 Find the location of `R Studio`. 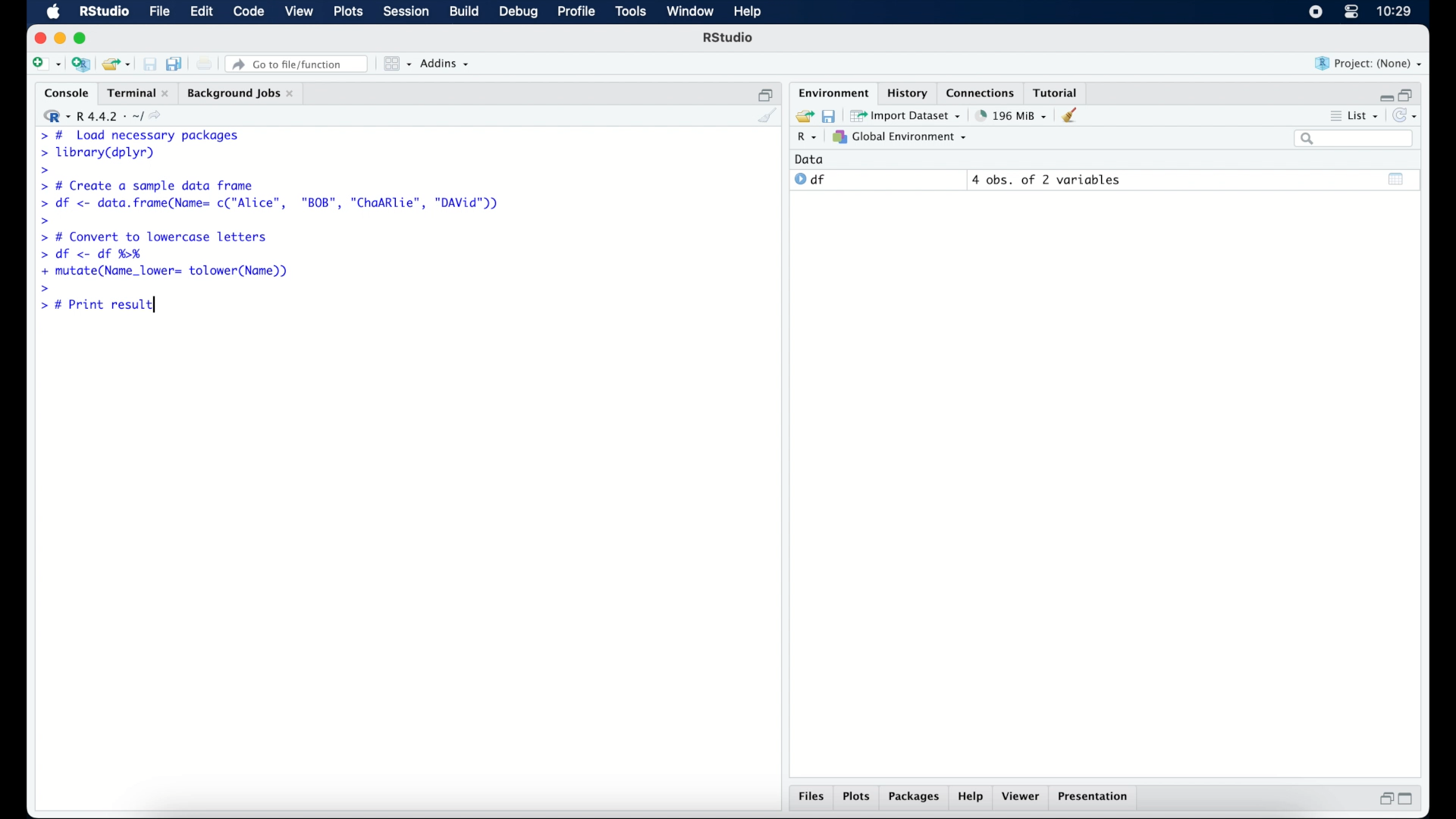

R Studio is located at coordinates (104, 12).